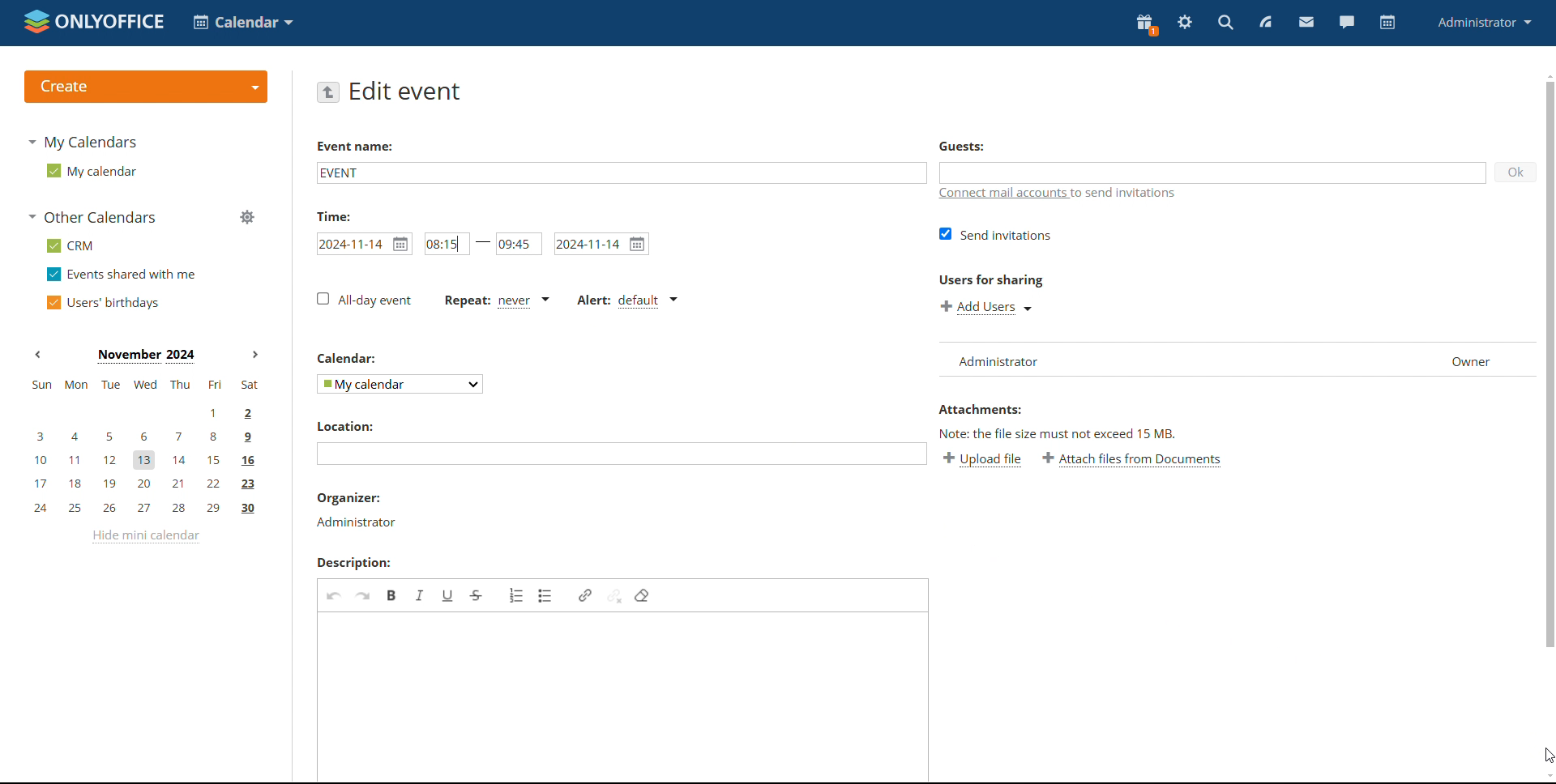  I want to click on 3, 4, 5, 6, 7, 8, 9, so click(139, 436).